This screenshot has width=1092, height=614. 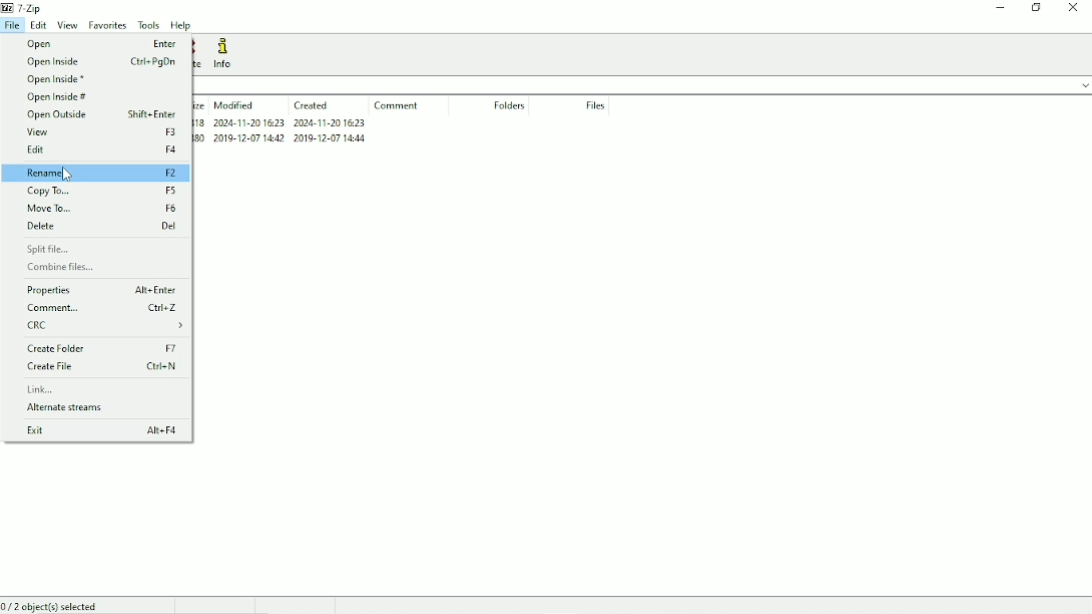 What do you see at coordinates (13, 26) in the screenshot?
I see `File` at bounding box center [13, 26].